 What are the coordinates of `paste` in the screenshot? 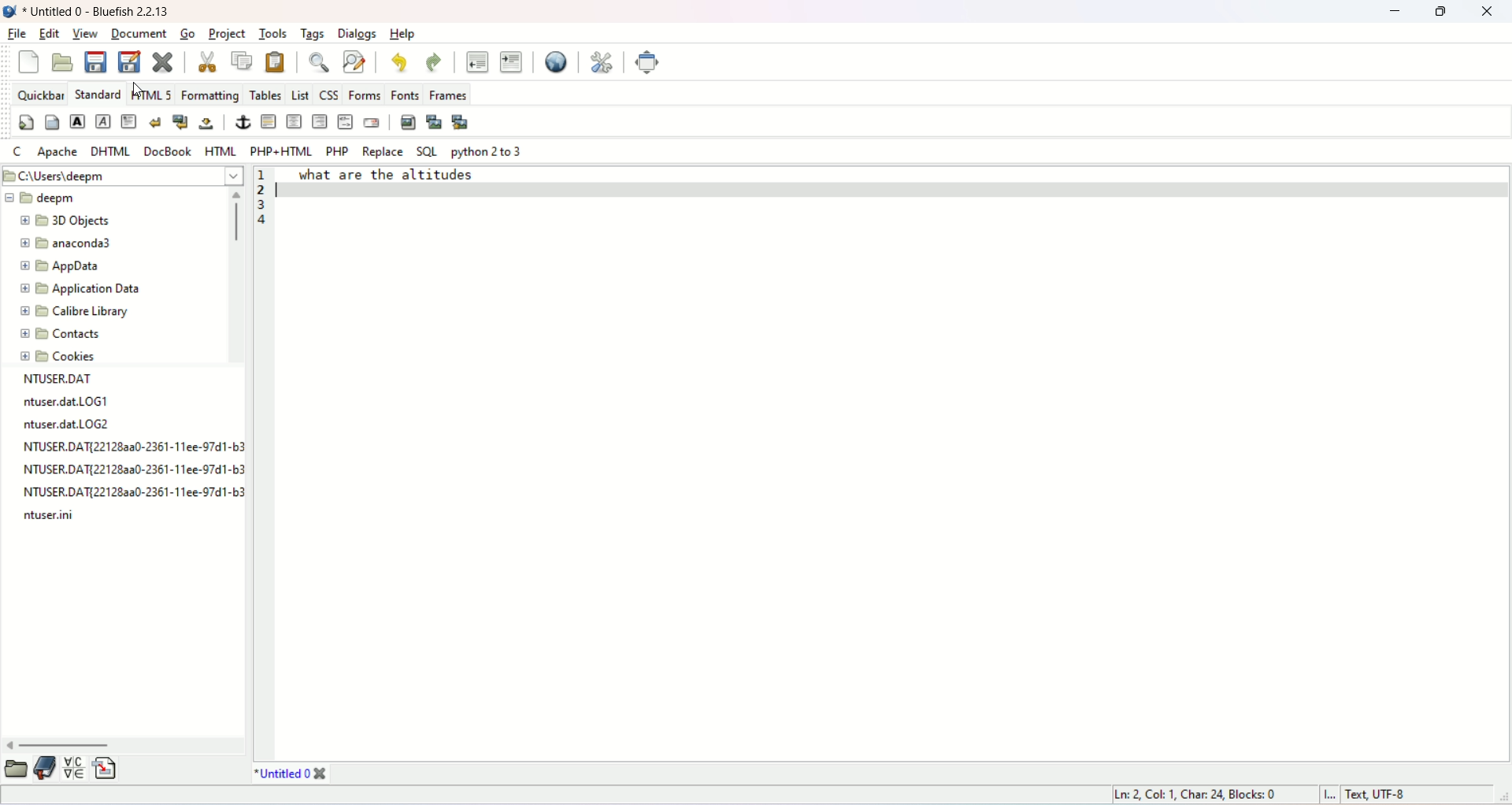 It's located at (272, 61).